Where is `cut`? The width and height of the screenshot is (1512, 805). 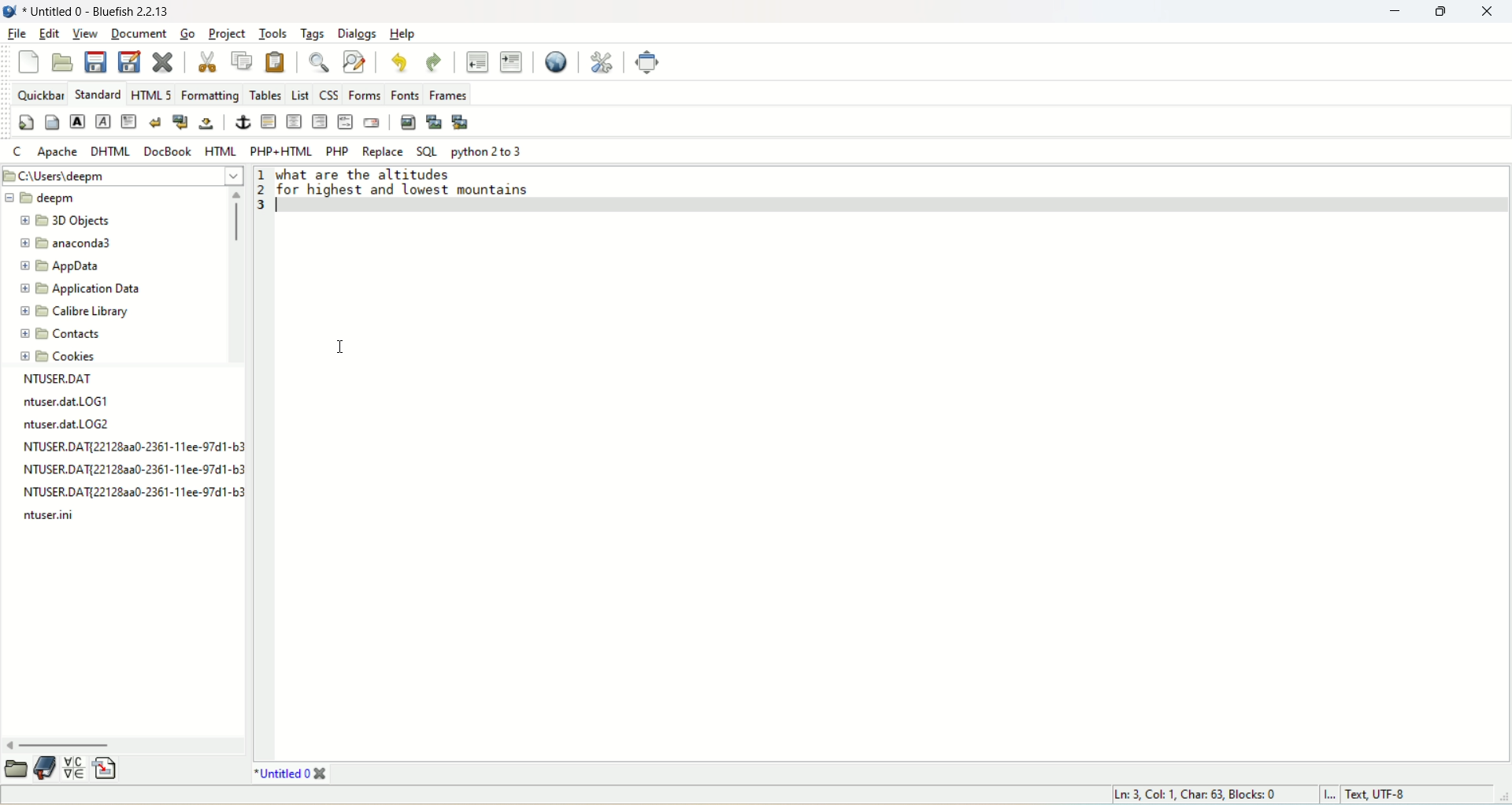
cut is located at coordinates (207, 61).